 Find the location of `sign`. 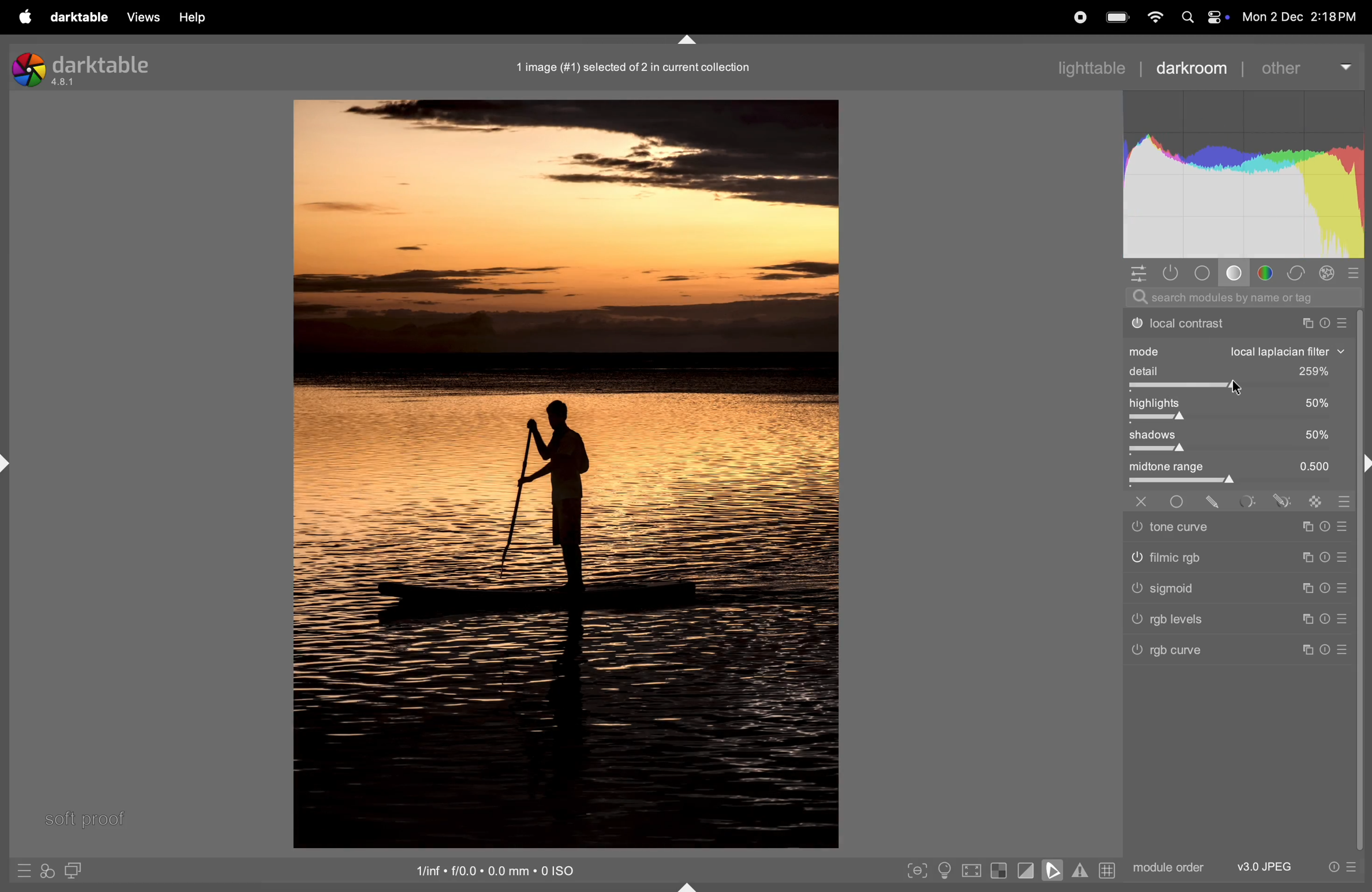

sign is located at coordinates (1280, 501).